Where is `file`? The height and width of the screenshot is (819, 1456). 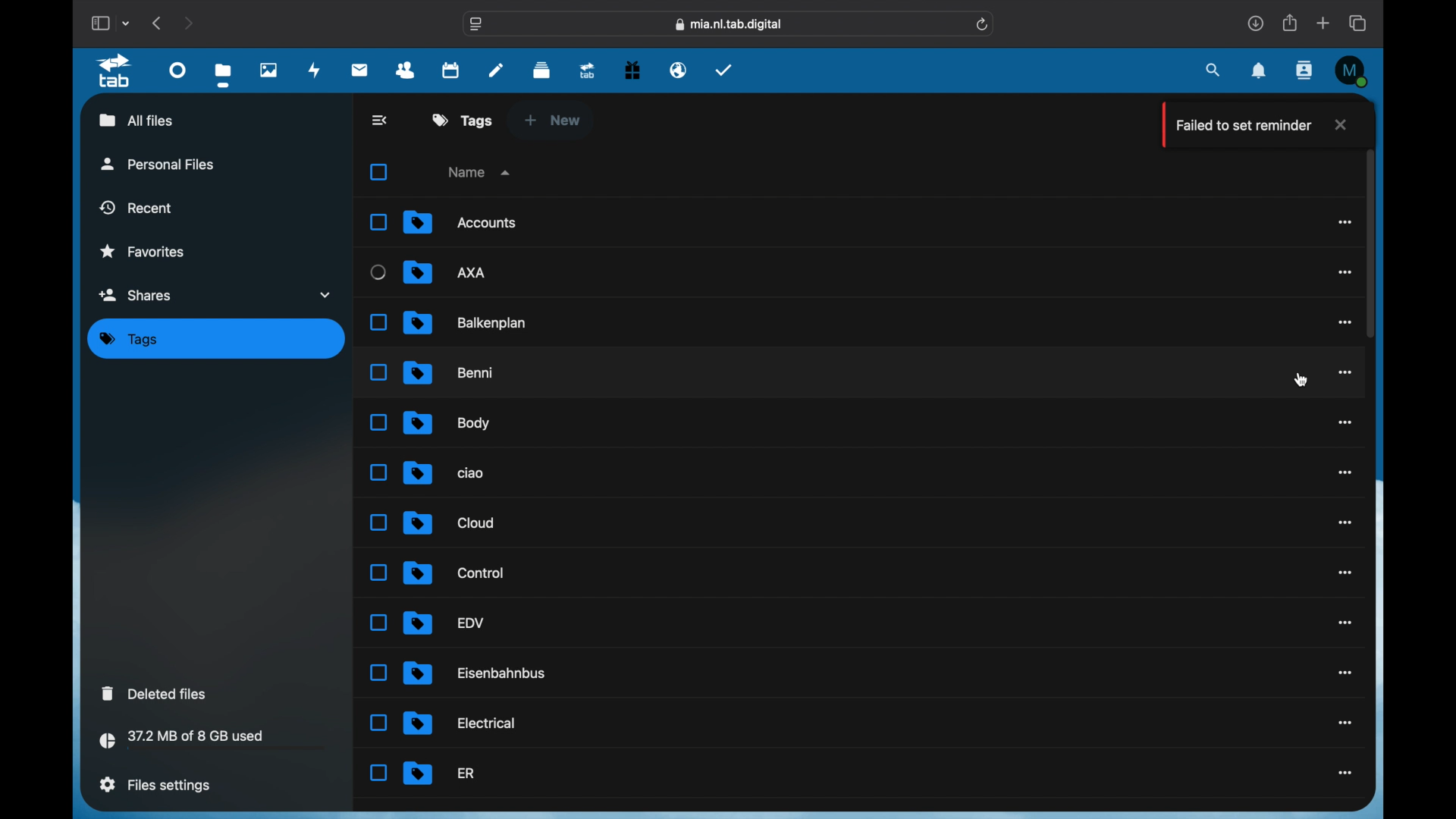 file is located at coordinates (450, 373).